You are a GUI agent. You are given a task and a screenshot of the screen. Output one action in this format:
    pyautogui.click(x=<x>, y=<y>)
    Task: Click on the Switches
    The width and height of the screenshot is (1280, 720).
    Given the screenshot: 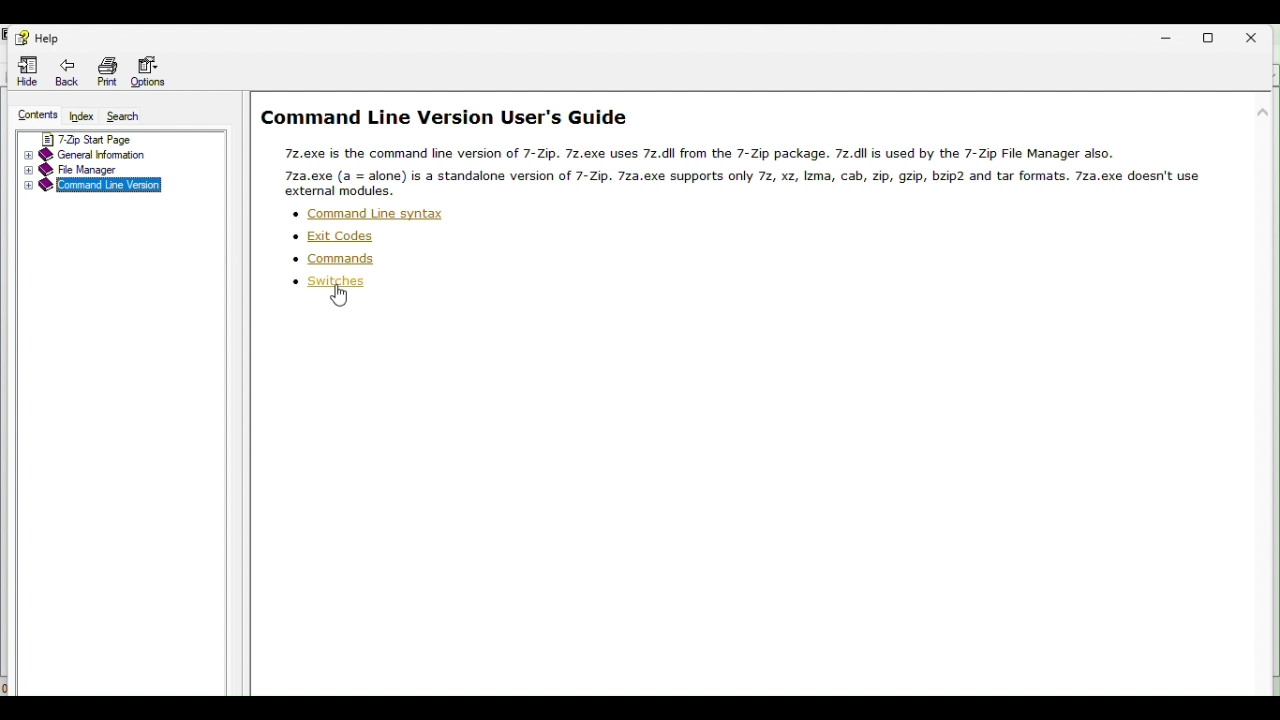 What is the action you would take?
    pyautogui.click(x=341, y=282)
    